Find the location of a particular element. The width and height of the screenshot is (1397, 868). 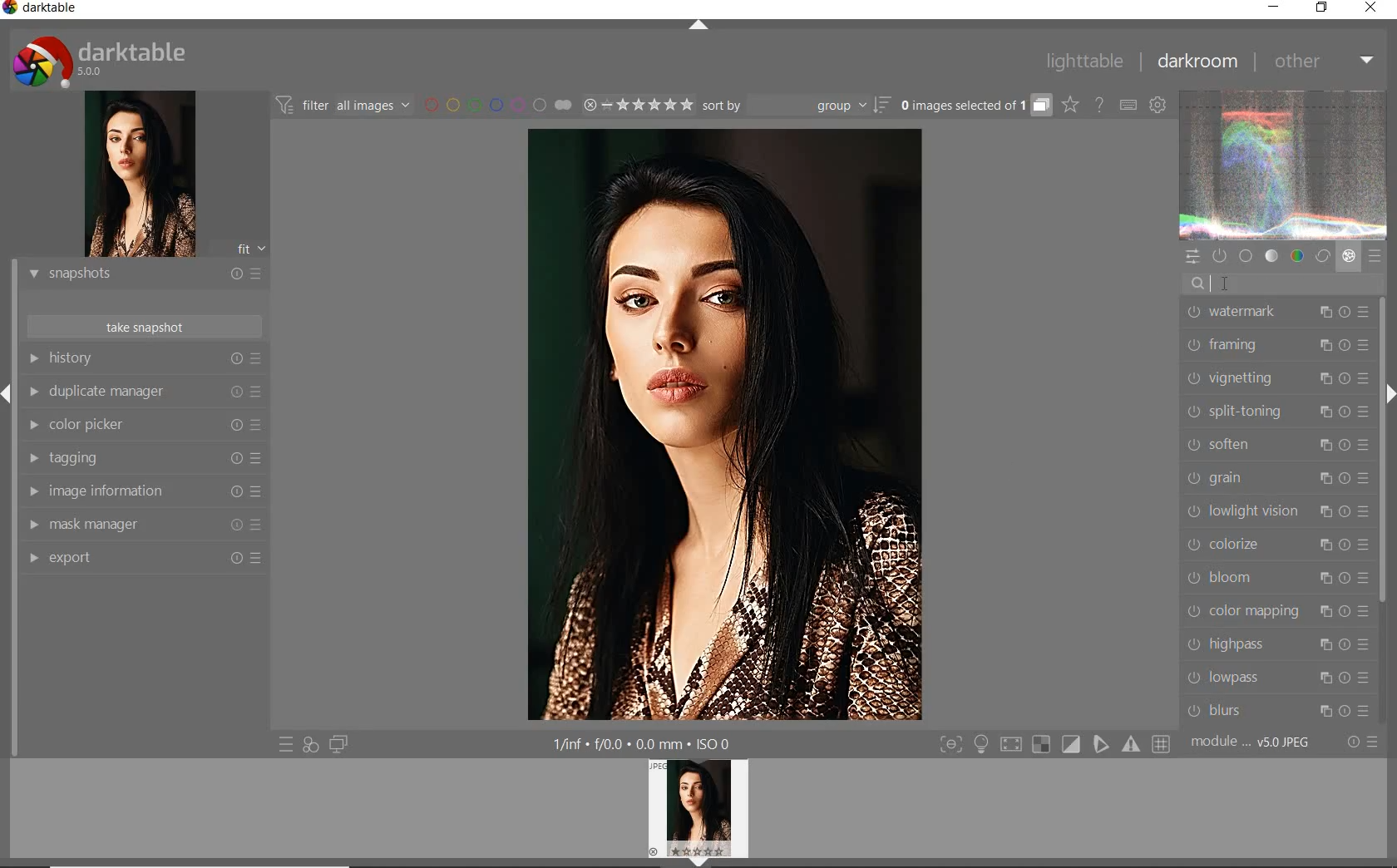

sign  is located at coordinates (1133, 747).